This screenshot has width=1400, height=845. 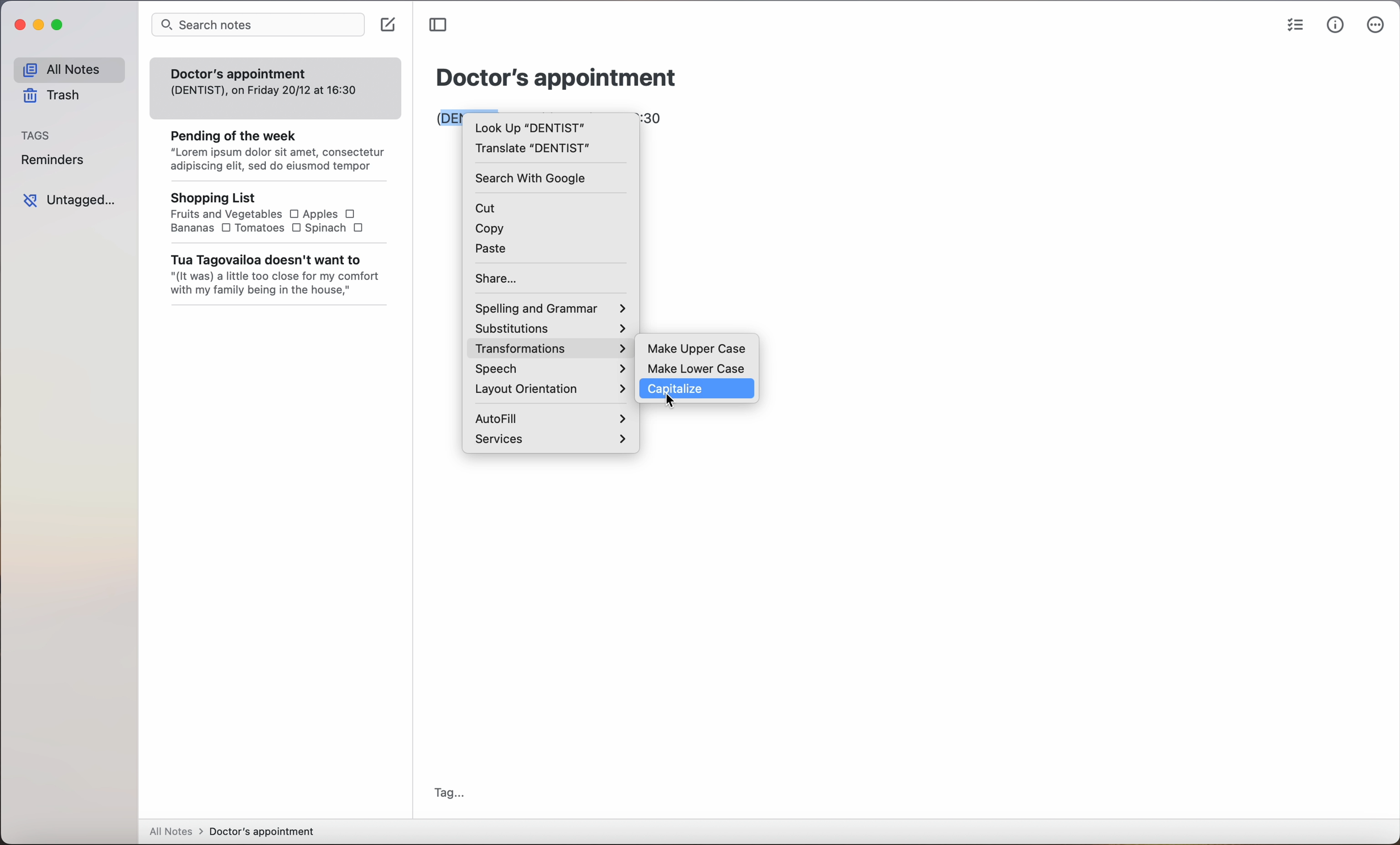 I want to click on copy, so click(x=488, y=231).